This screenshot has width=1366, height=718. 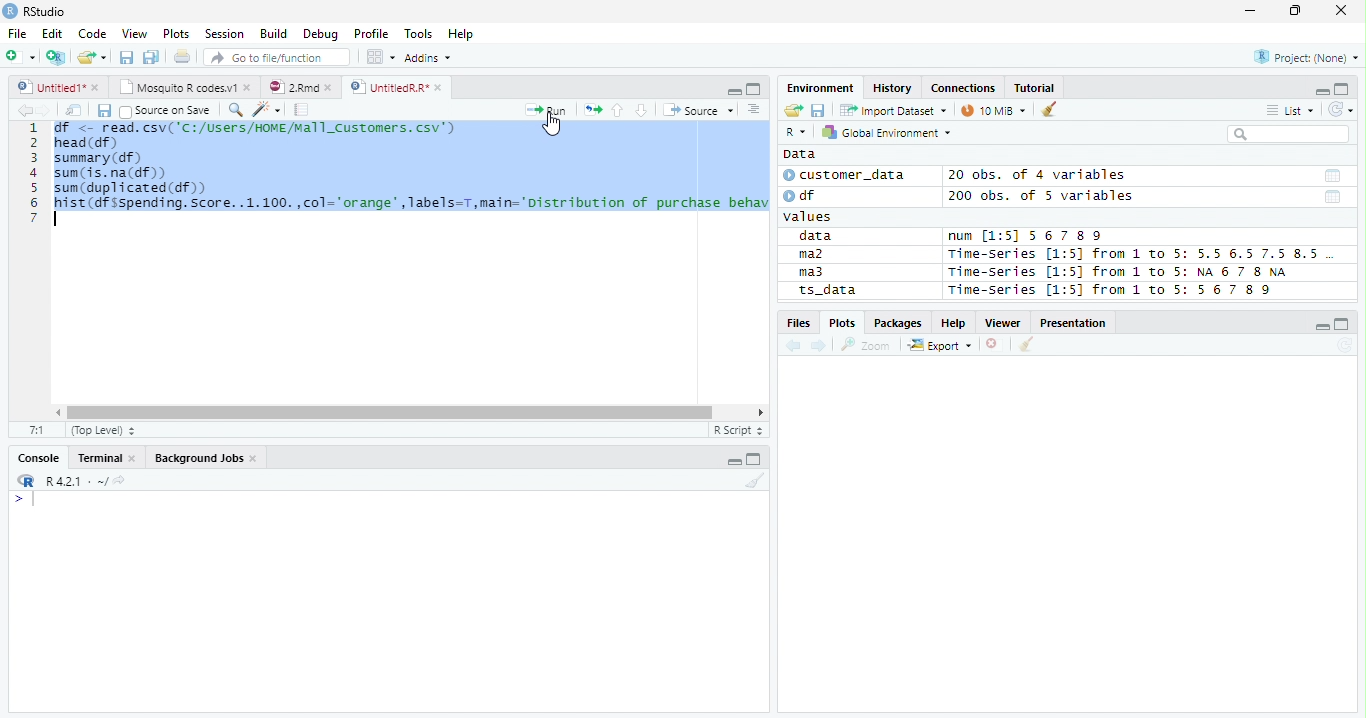 What do you see at coordinates (1323, 328) in the screenshot?
I see `Minimize` at bounding box center [1323, 328].